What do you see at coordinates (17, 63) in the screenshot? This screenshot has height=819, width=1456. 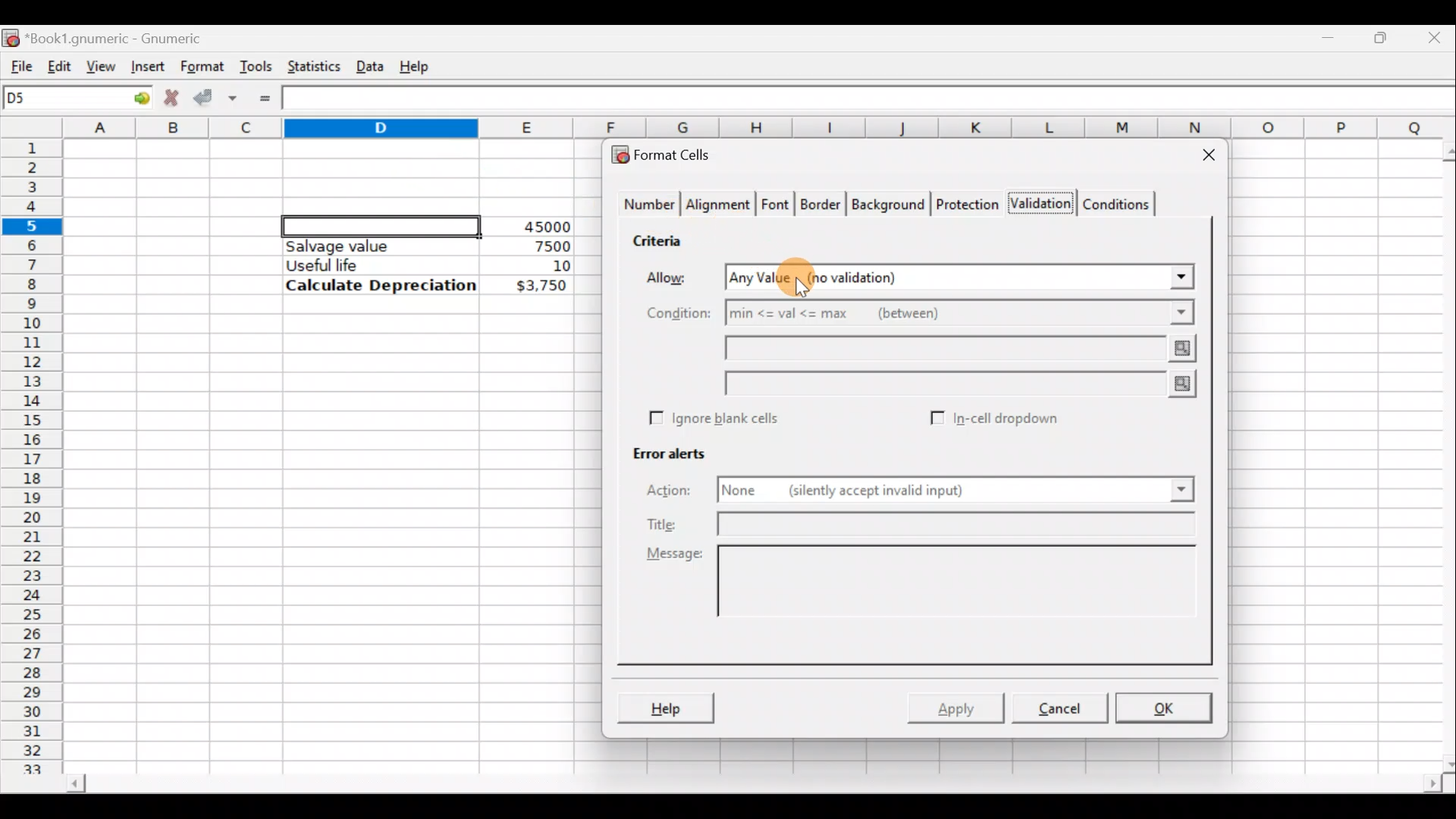 I see `File` at bounding box center [17, 63].